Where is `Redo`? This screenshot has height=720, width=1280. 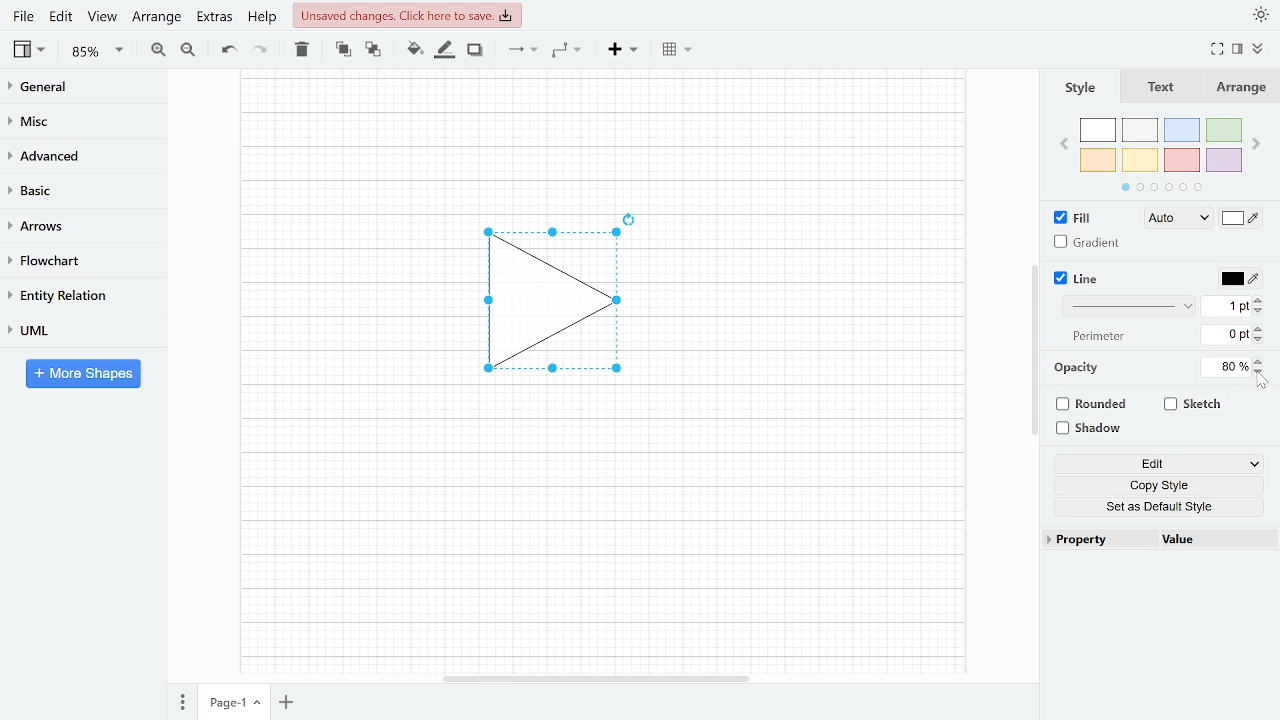 Redo is located at coordinates (258, 48).